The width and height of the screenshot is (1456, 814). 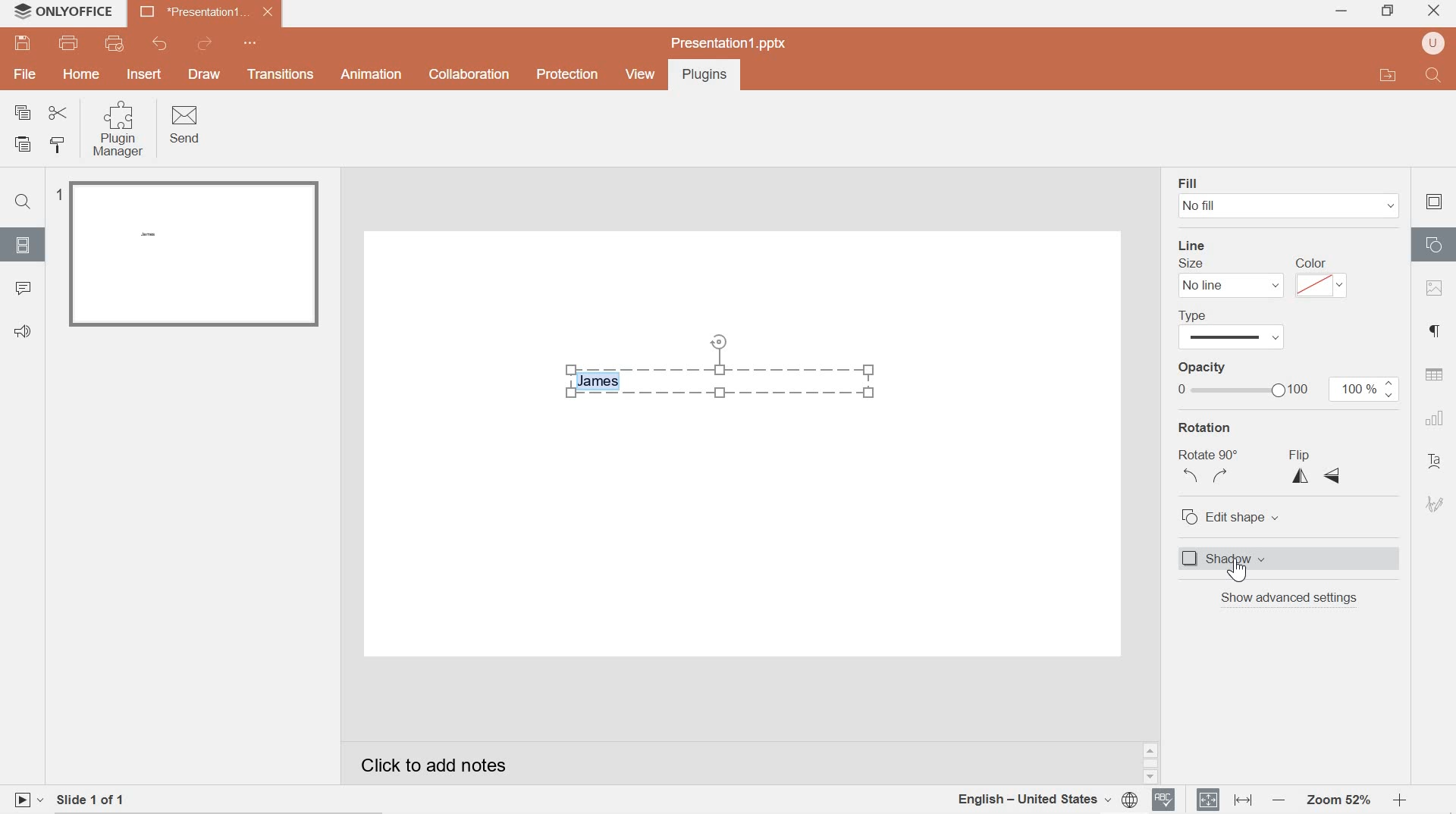 What do you see at coordinates (187, 126) in the screenshot?
I see `Send` at bounding box center [187, 126].